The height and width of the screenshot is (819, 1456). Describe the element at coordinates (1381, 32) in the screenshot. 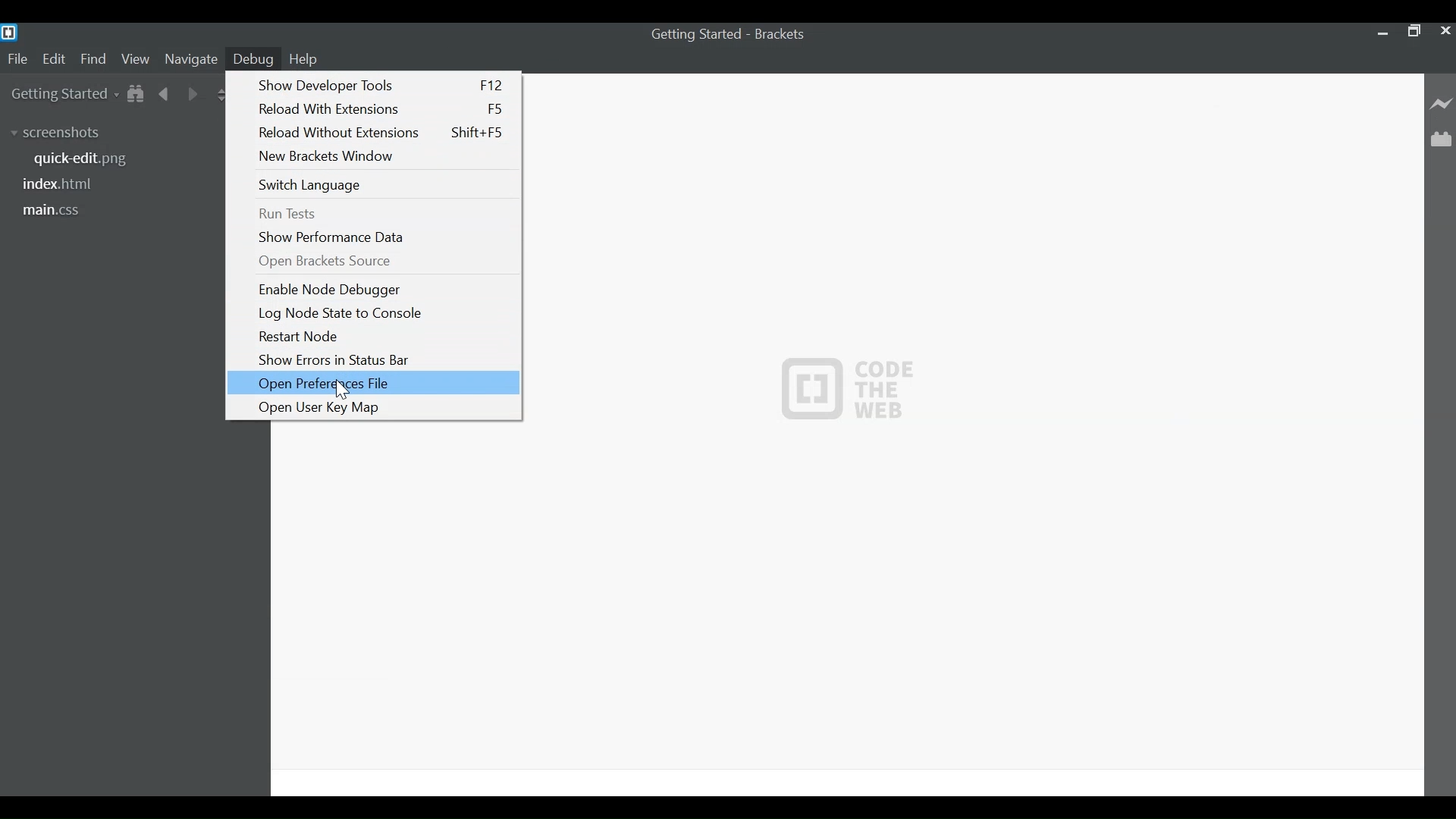

I see `minimize` at that location.